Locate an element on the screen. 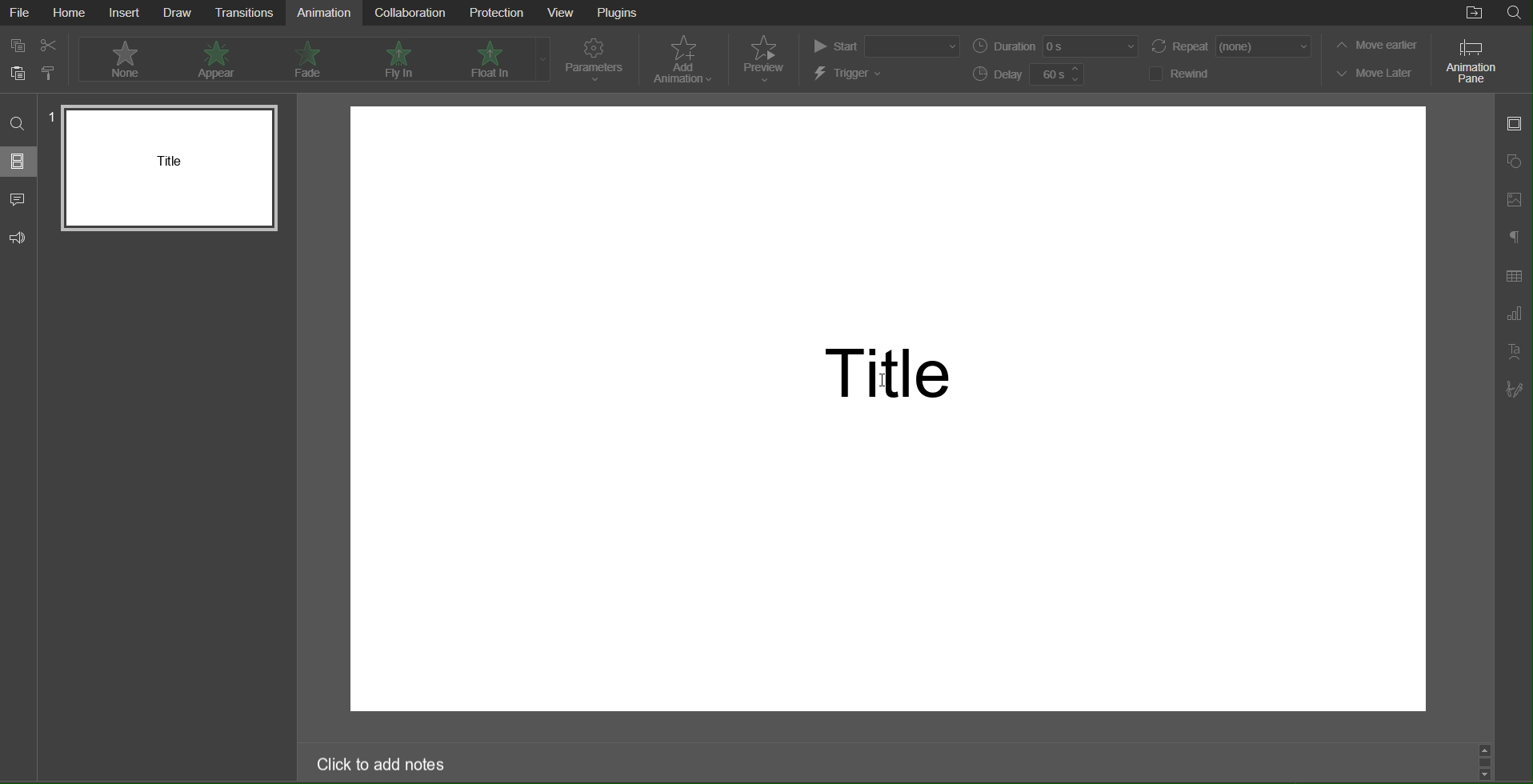  Rewind is located at coordinates (1180, 74).